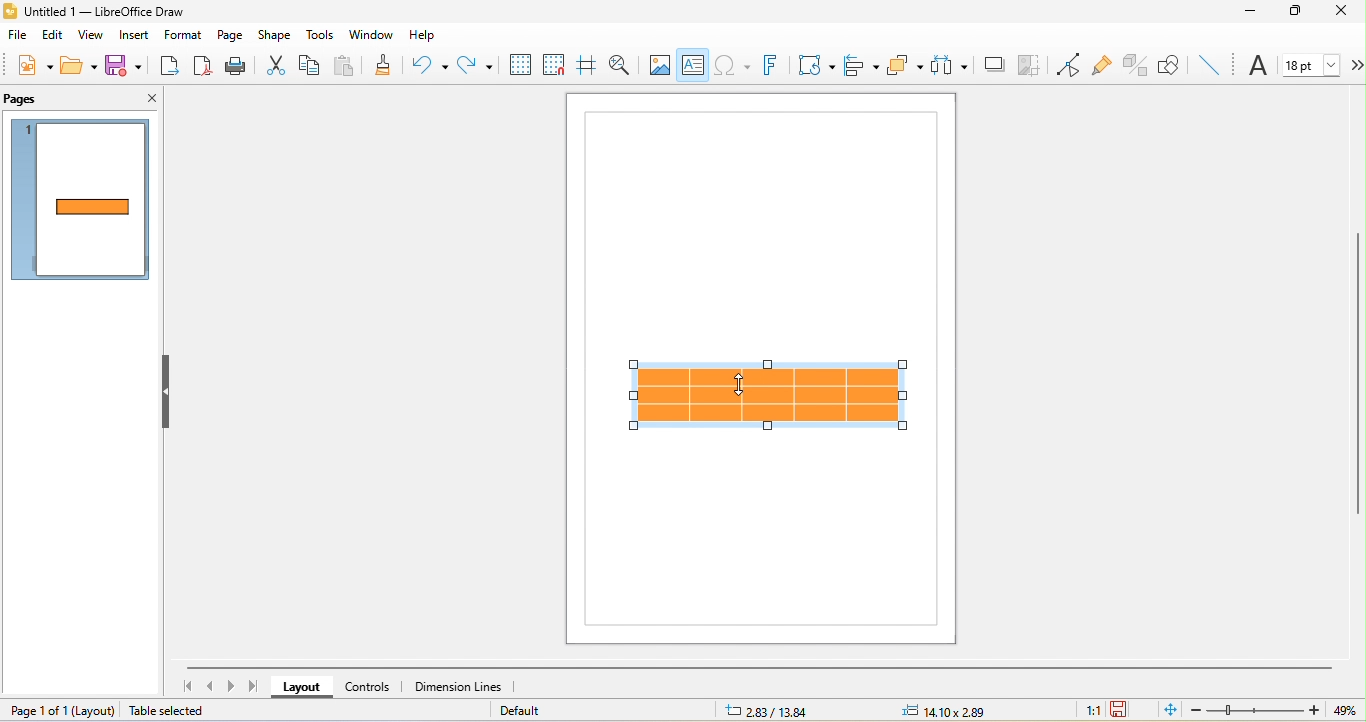 This screenshot has height=722, width=1366. I want to click on zoom and pan, so click(623, 67).